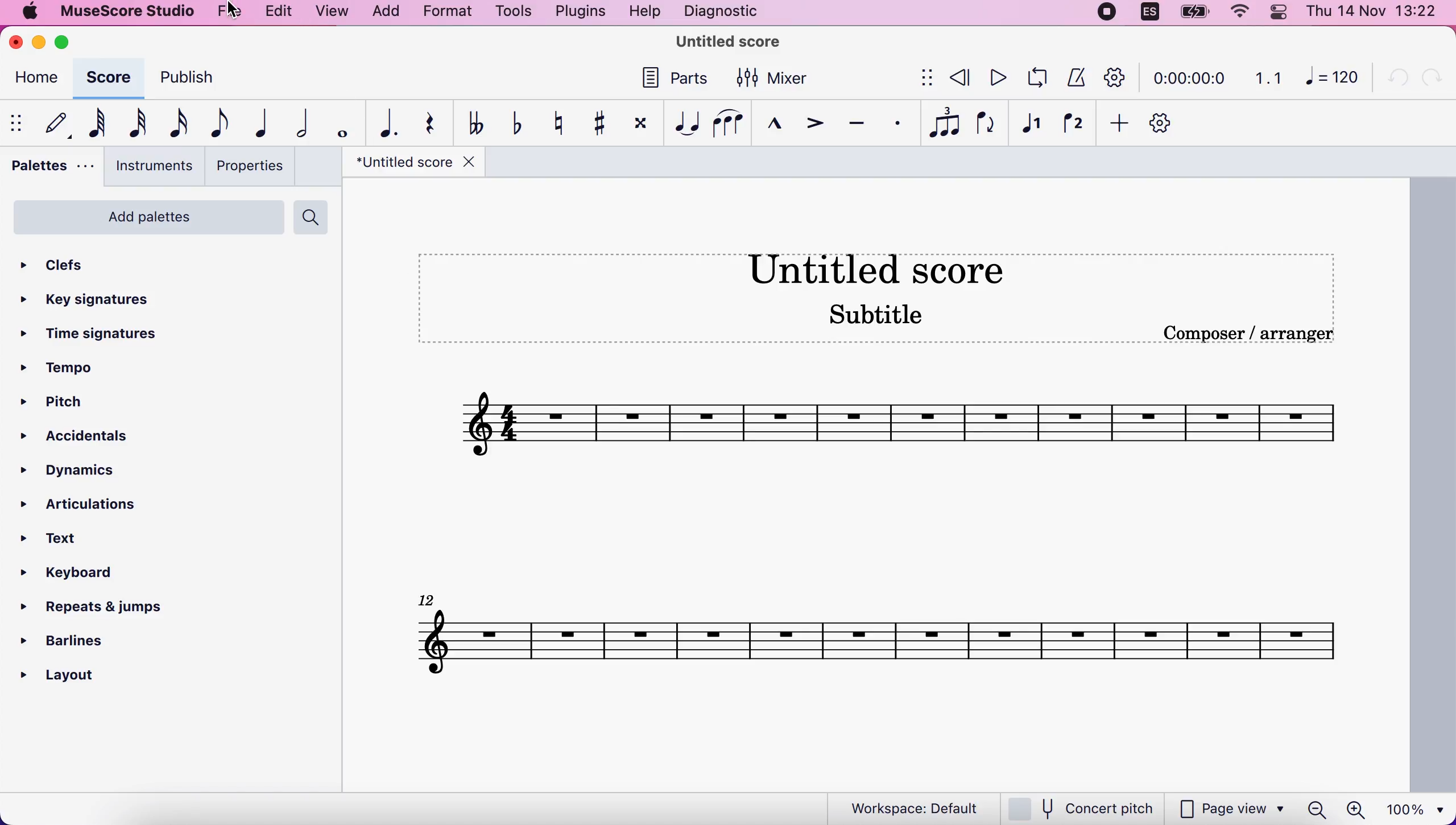  I want to click on format, so click(449, 13).